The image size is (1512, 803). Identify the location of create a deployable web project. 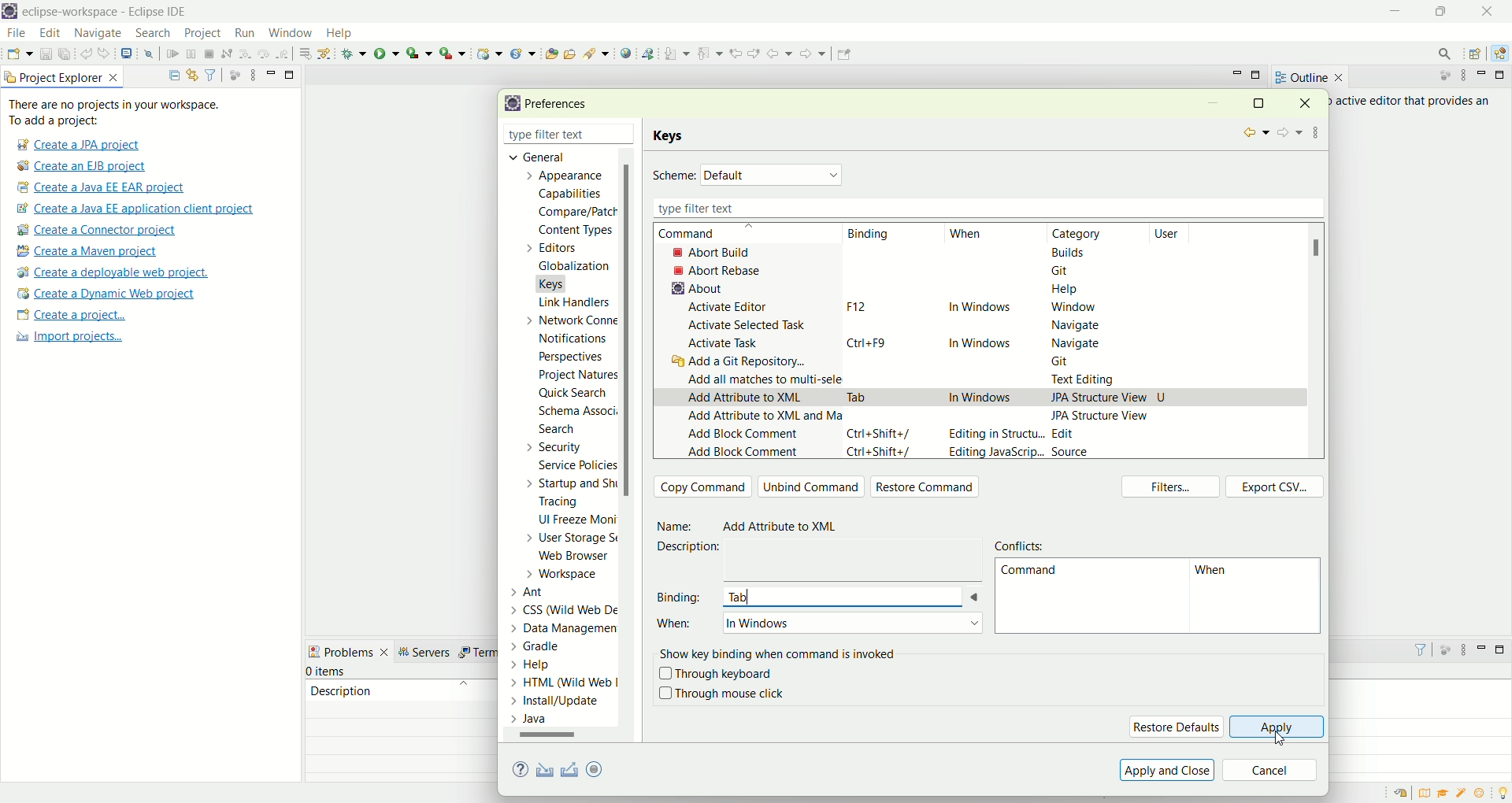
(113, 273).